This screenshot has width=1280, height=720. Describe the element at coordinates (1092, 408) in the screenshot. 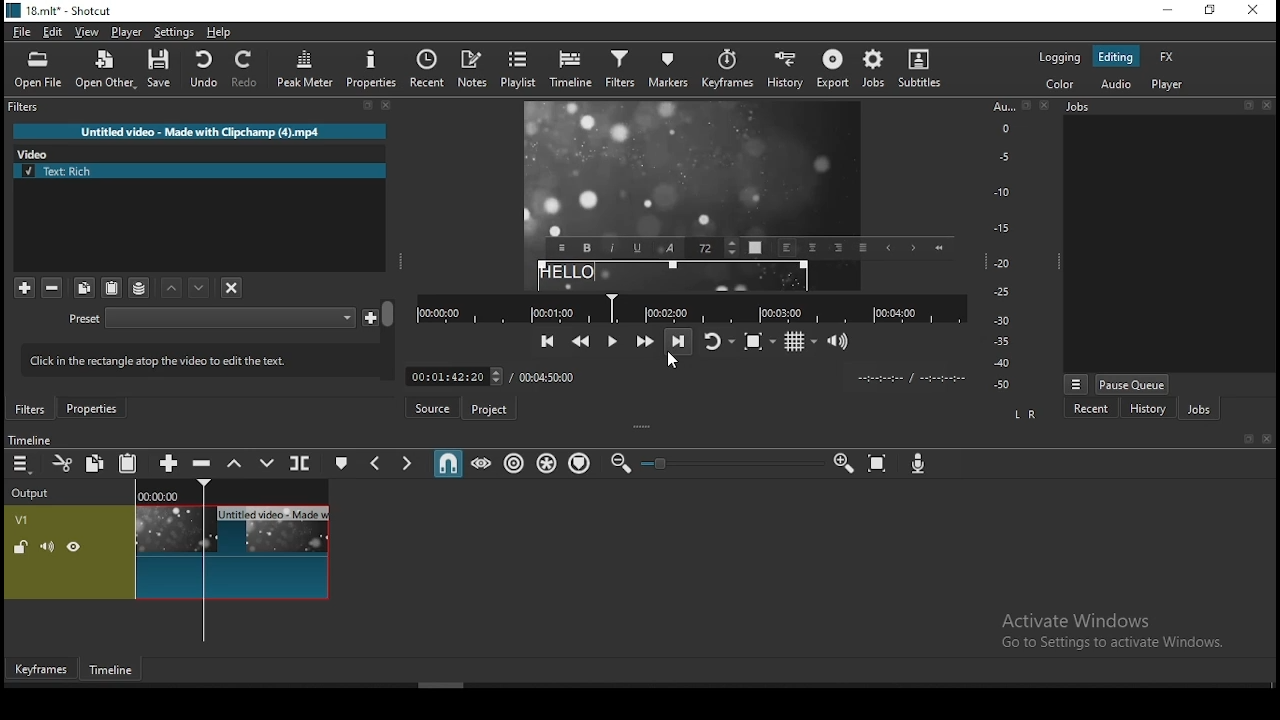

I see `recent` at that location.